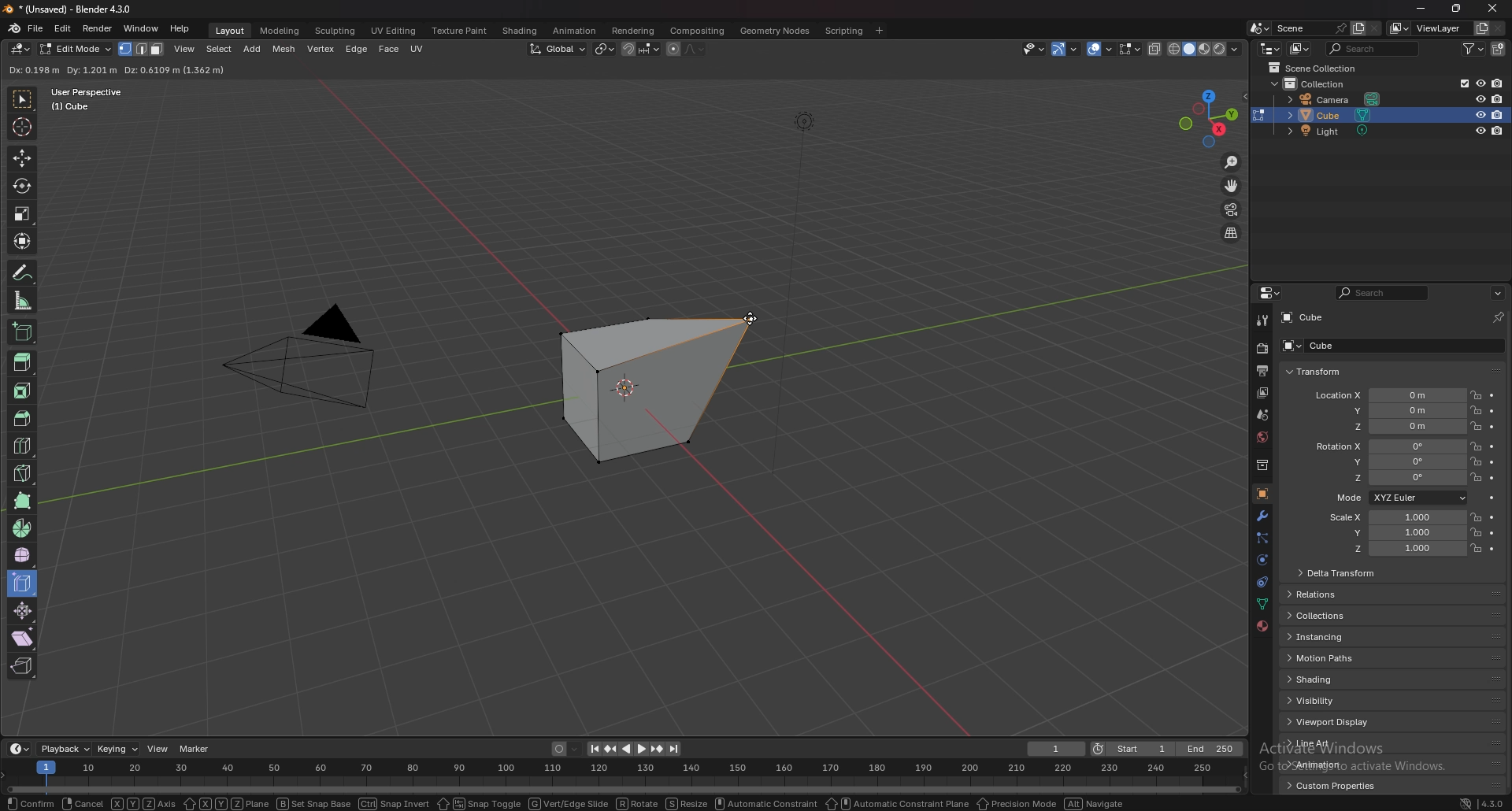  I want to click on loop cut, so click(22, 446).